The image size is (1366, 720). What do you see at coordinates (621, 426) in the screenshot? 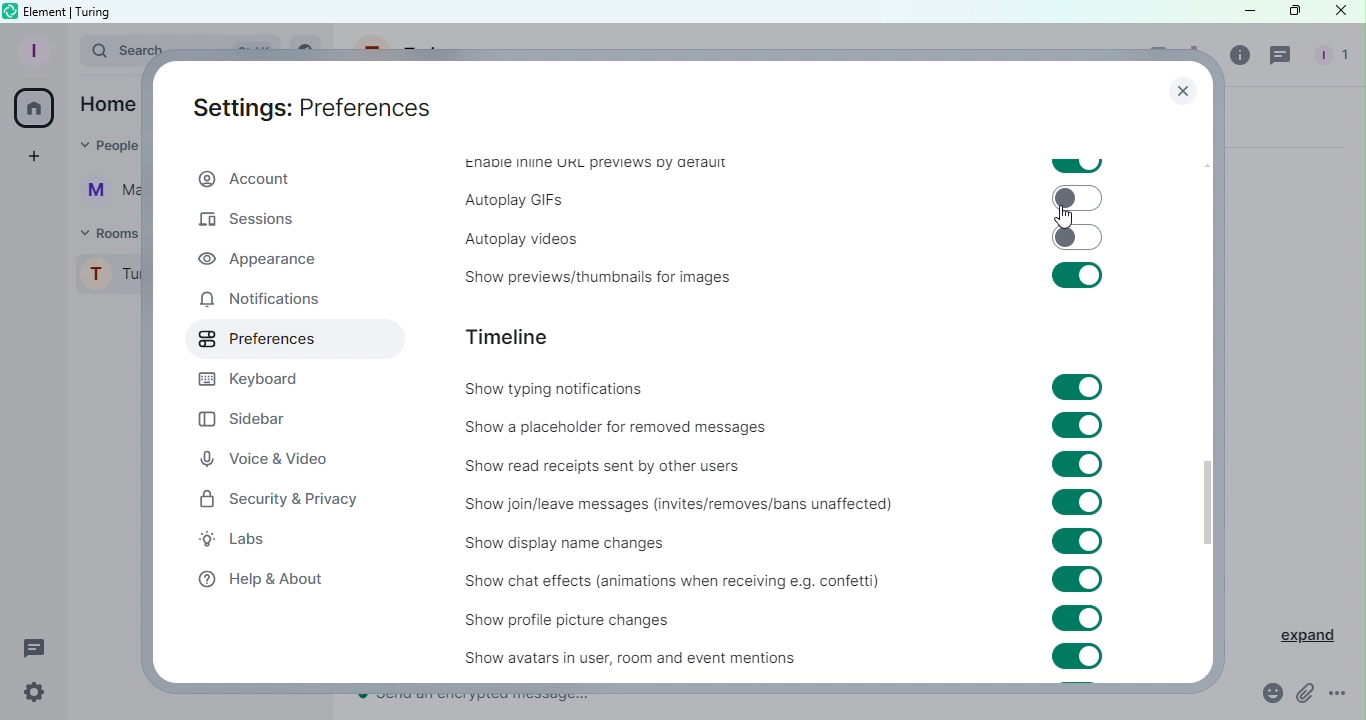
I see `SHow a placeholder for removed messages` at bounding box center [621, 426].